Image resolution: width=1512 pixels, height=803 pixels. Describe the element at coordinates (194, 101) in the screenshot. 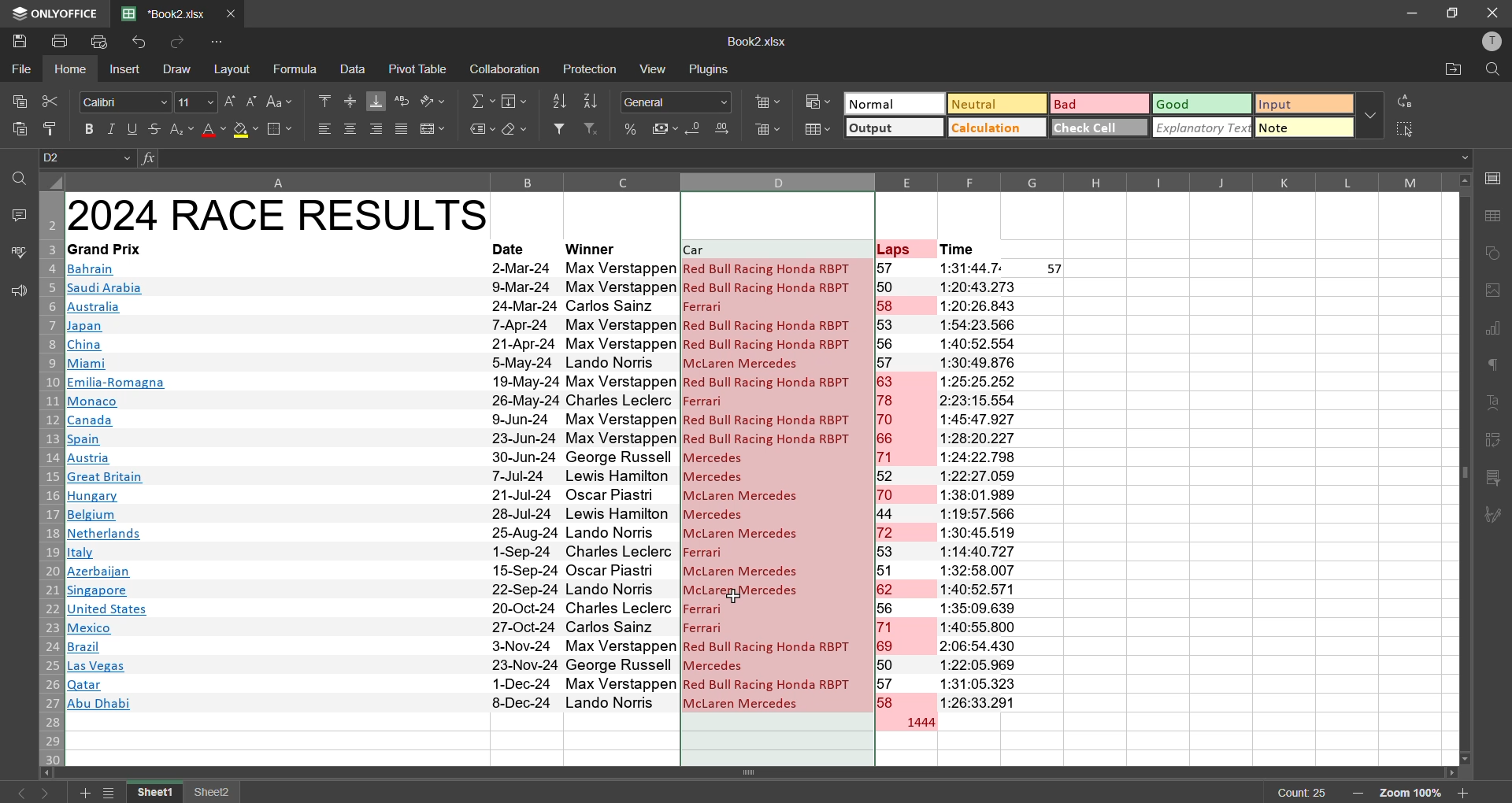

I see `font size` at that location.